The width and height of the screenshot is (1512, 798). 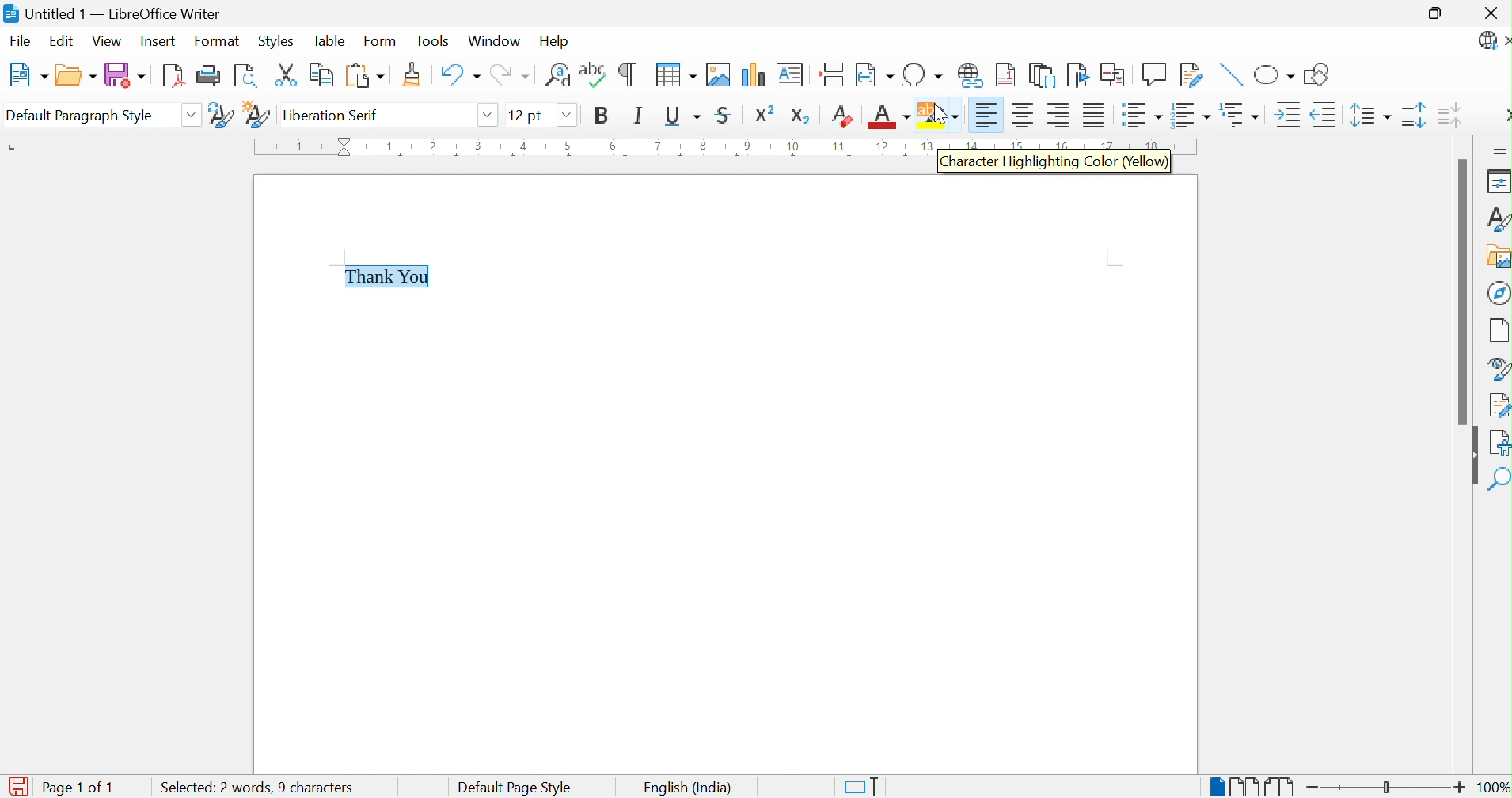 What do you see at coordinates (1024, 115) in the screenshot?
I see `Align Center` at bounding box center [1024, 115].